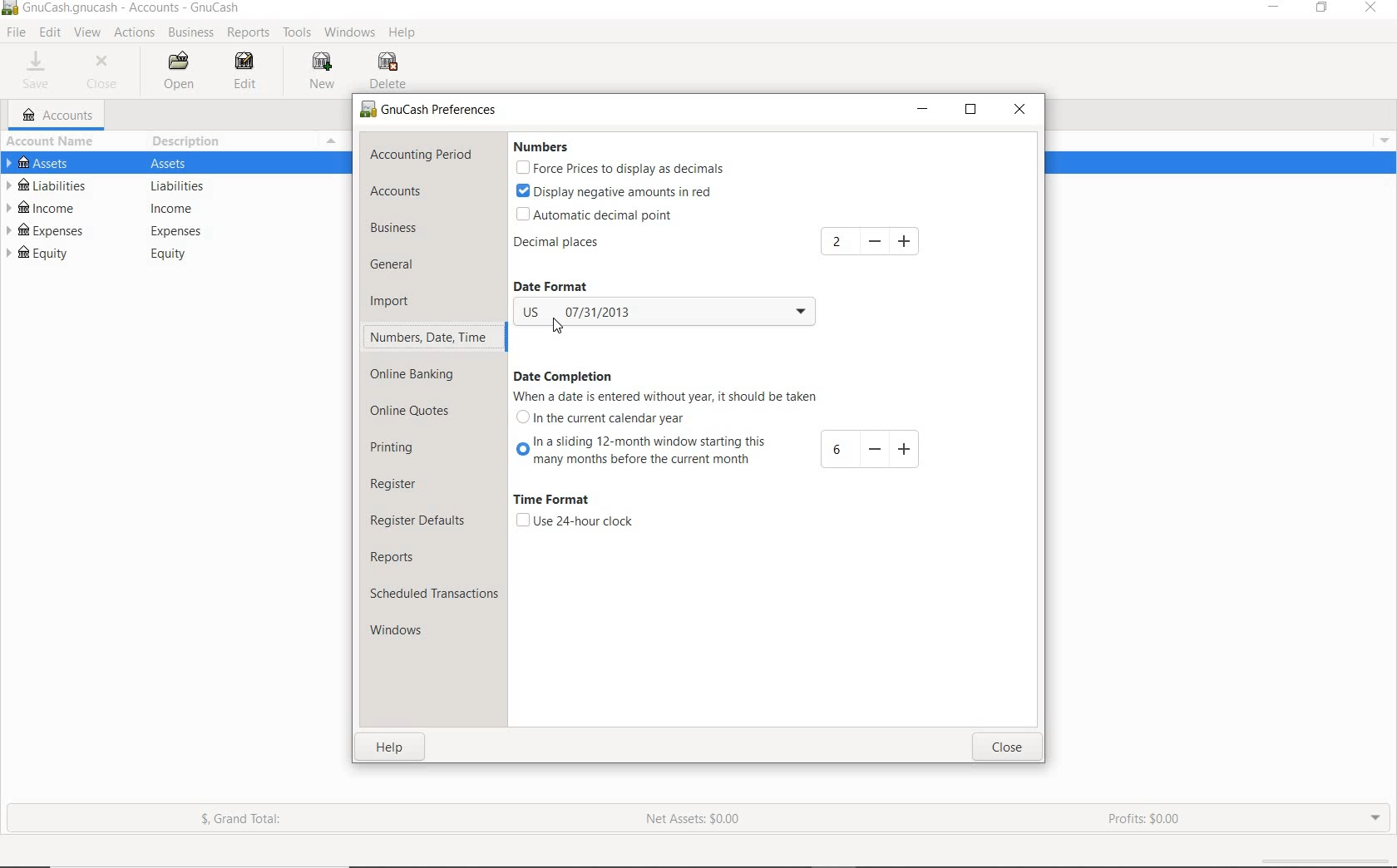 This screenshot has width=1397, height=868. What do you see at coordinates (1147, 820) in the screenshot?
I see `PROFIT` at bounding box center [1147, 820].